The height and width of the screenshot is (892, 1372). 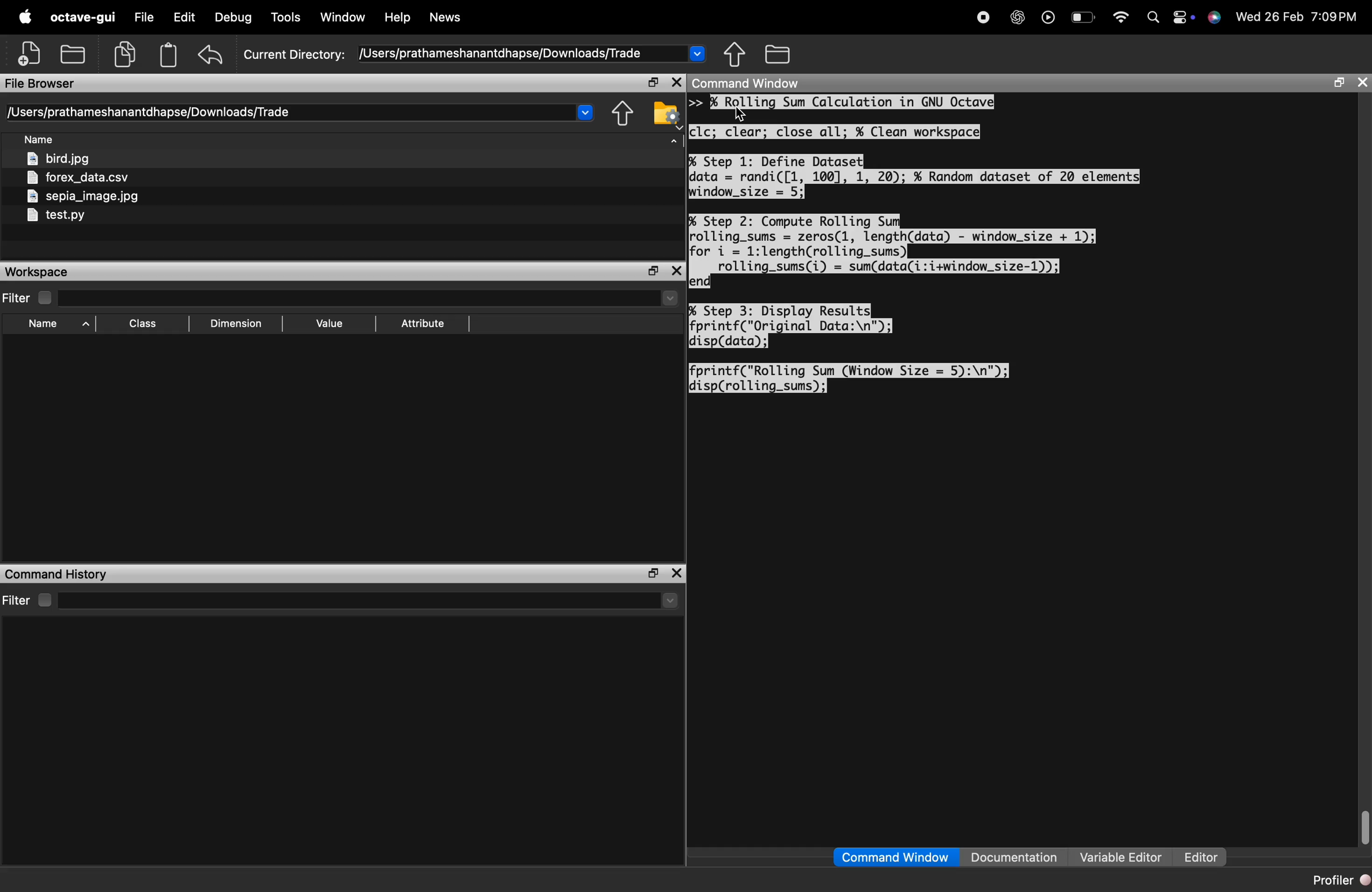 What do you see at coordinates (326, 323) in the screenshot?
I see `sort by value` at bounding box center [326, 323].